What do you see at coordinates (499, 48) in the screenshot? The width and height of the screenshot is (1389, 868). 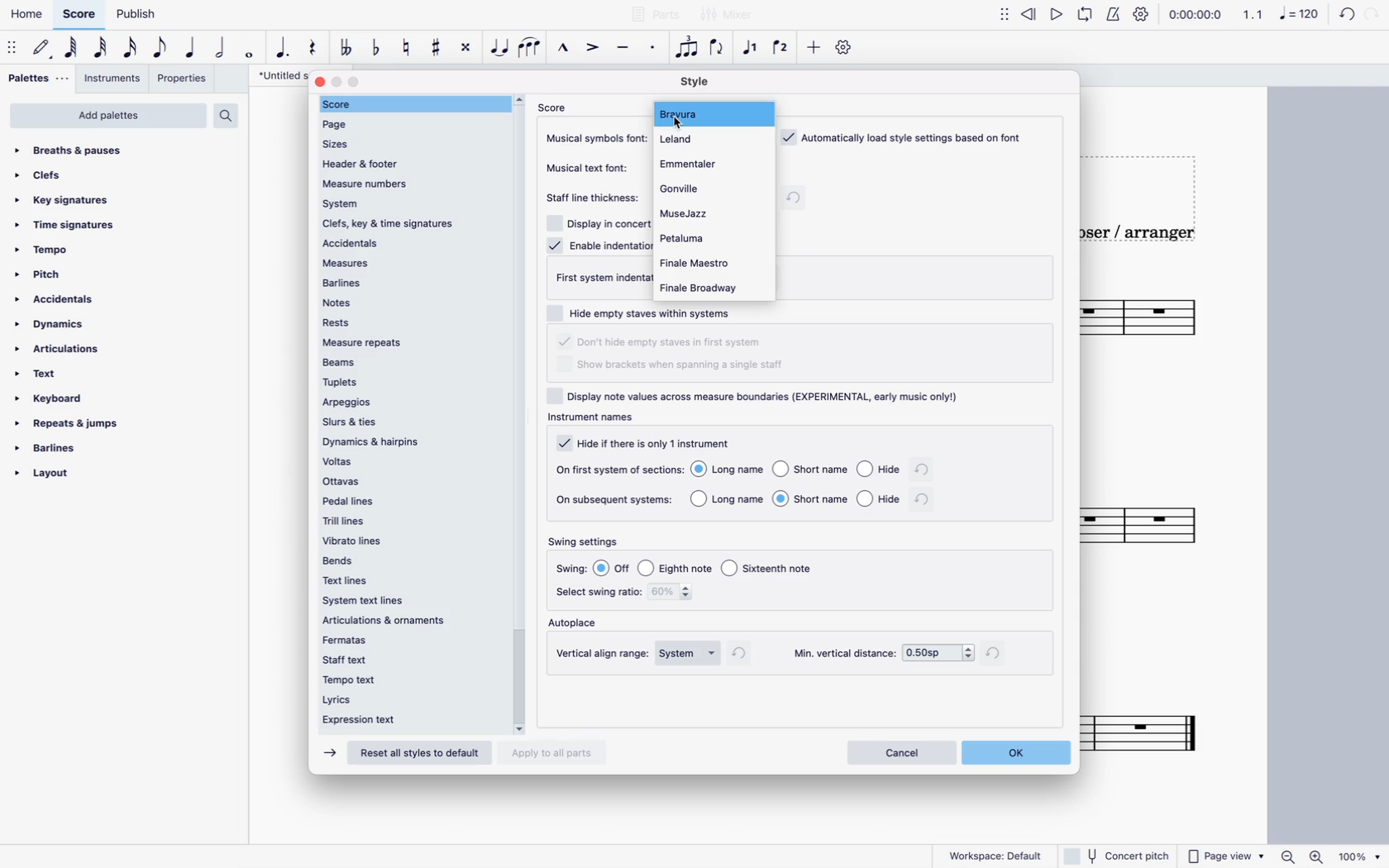 I see `Cursor` at bounding box center [499, 48].